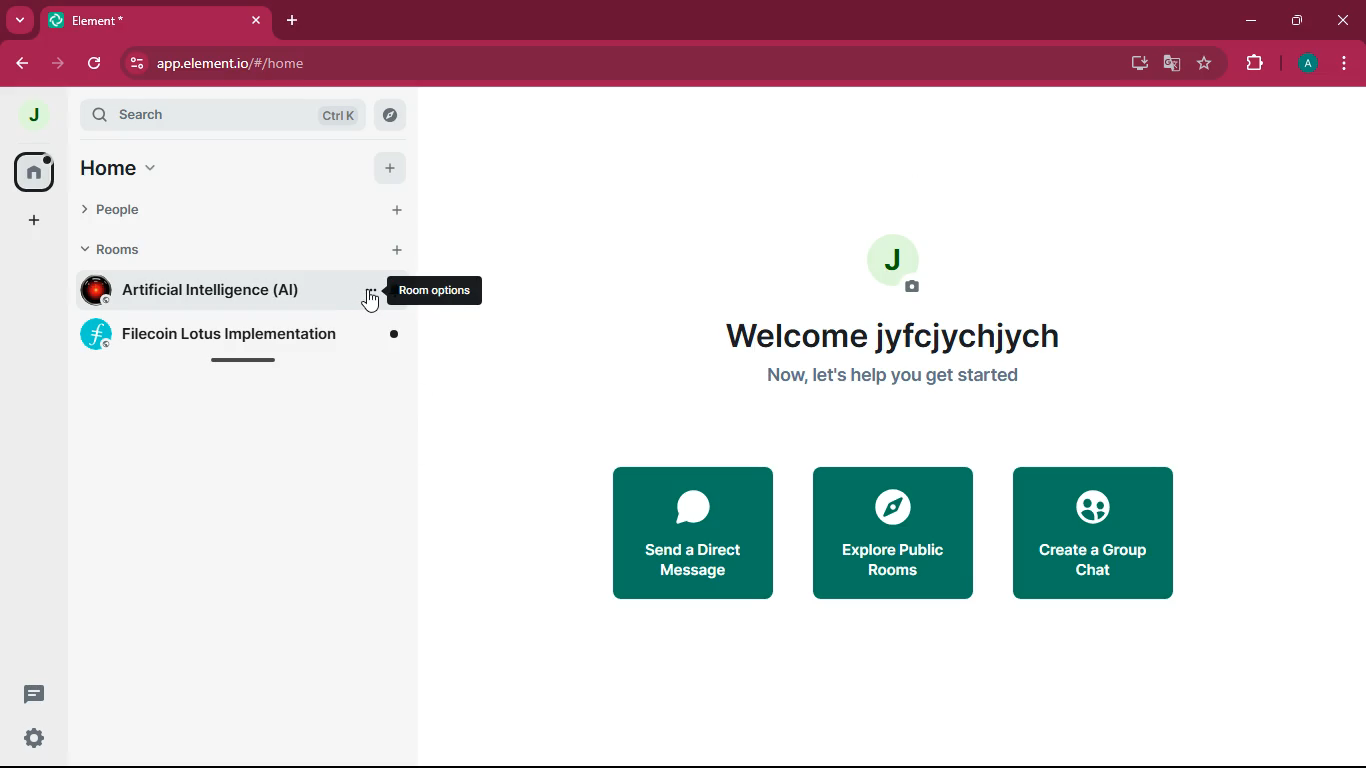  Describe the element at coordinates (1134, 63) in the screenshot. I see `desktop` at that location.